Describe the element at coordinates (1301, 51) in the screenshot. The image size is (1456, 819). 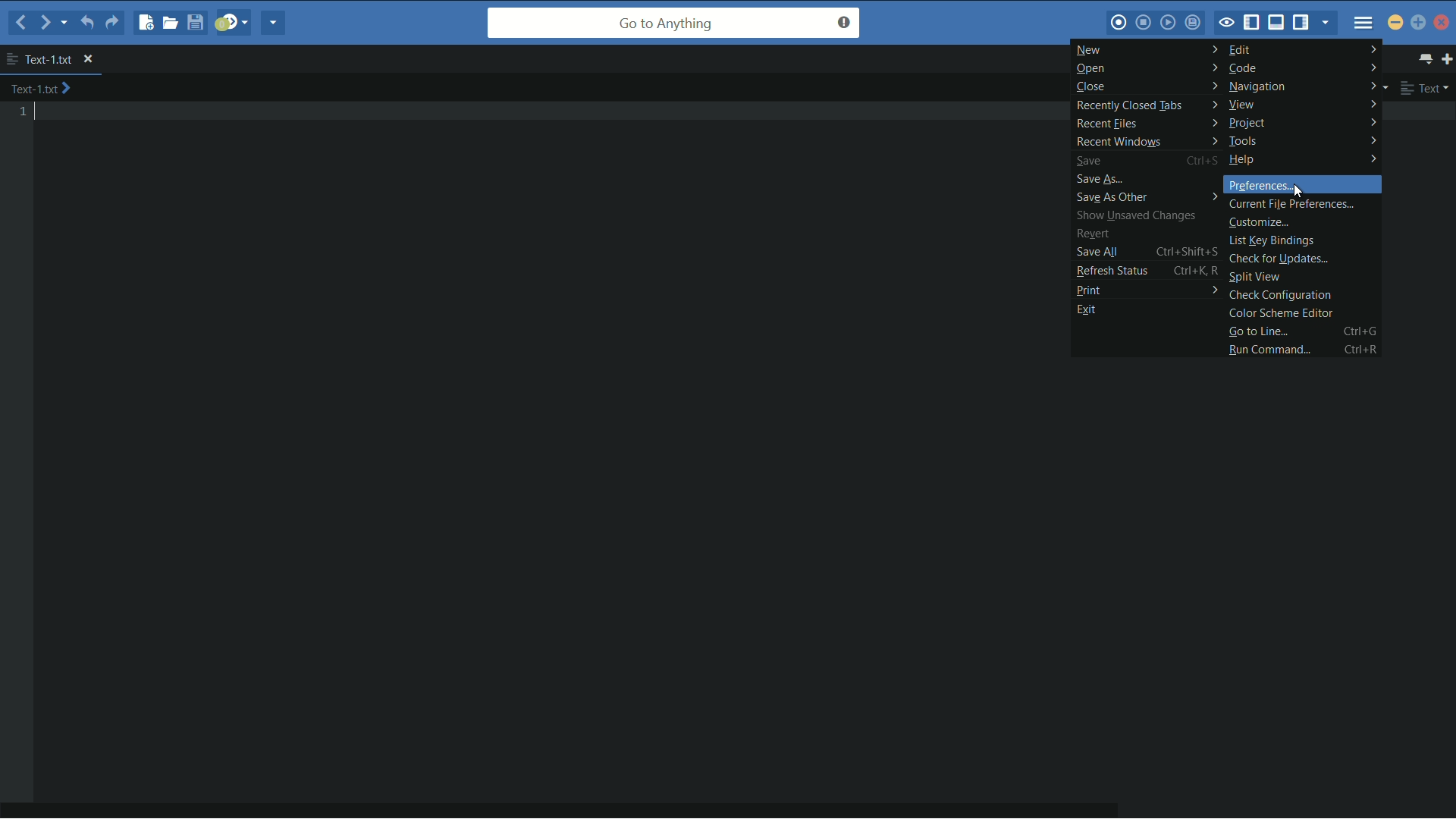
I see `edit` at that location.